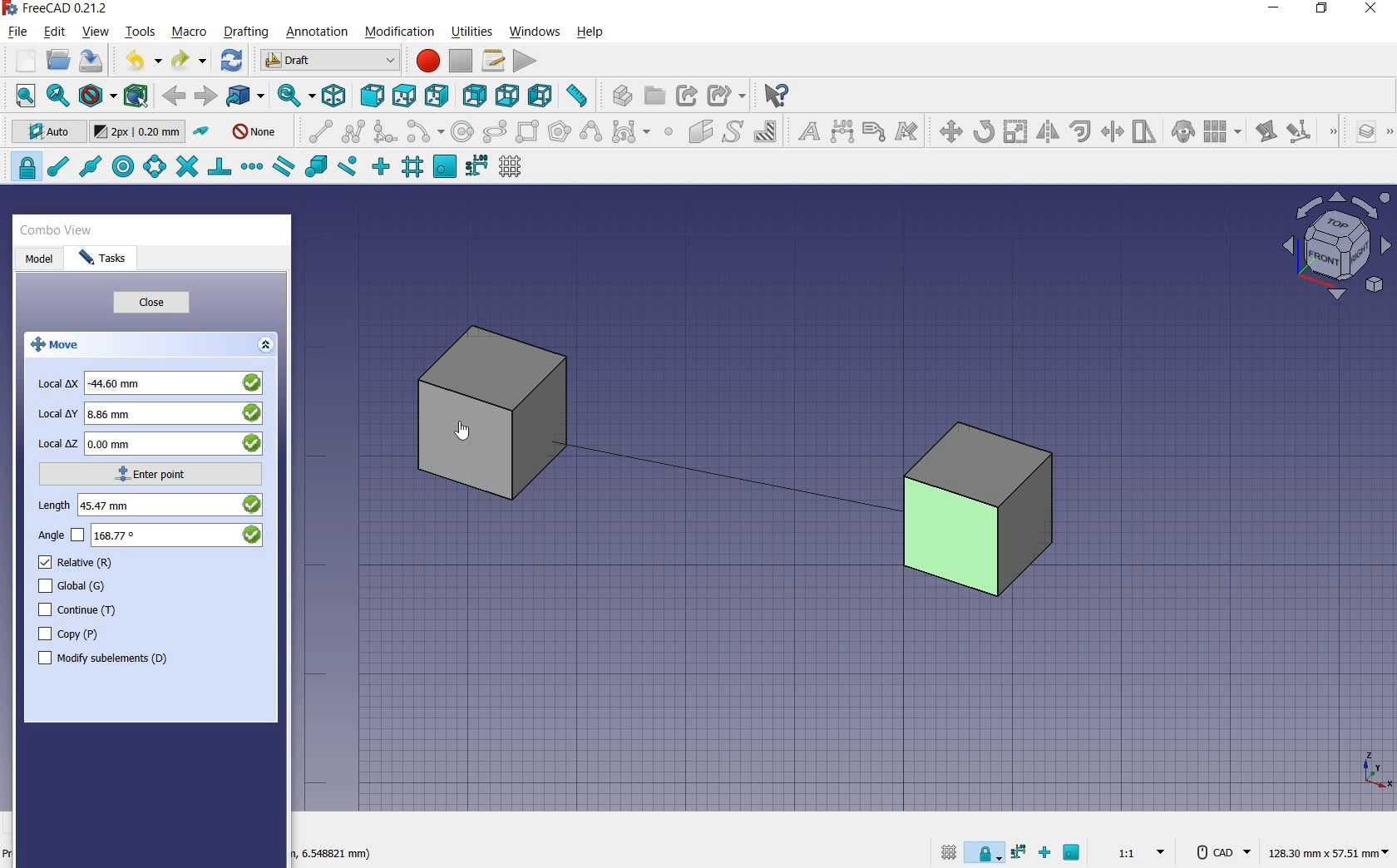 The height and width of the screenshot is (868, 1397). Describe the element at coordinates (142, 33) in the screenshot. I see `tools` at that location.